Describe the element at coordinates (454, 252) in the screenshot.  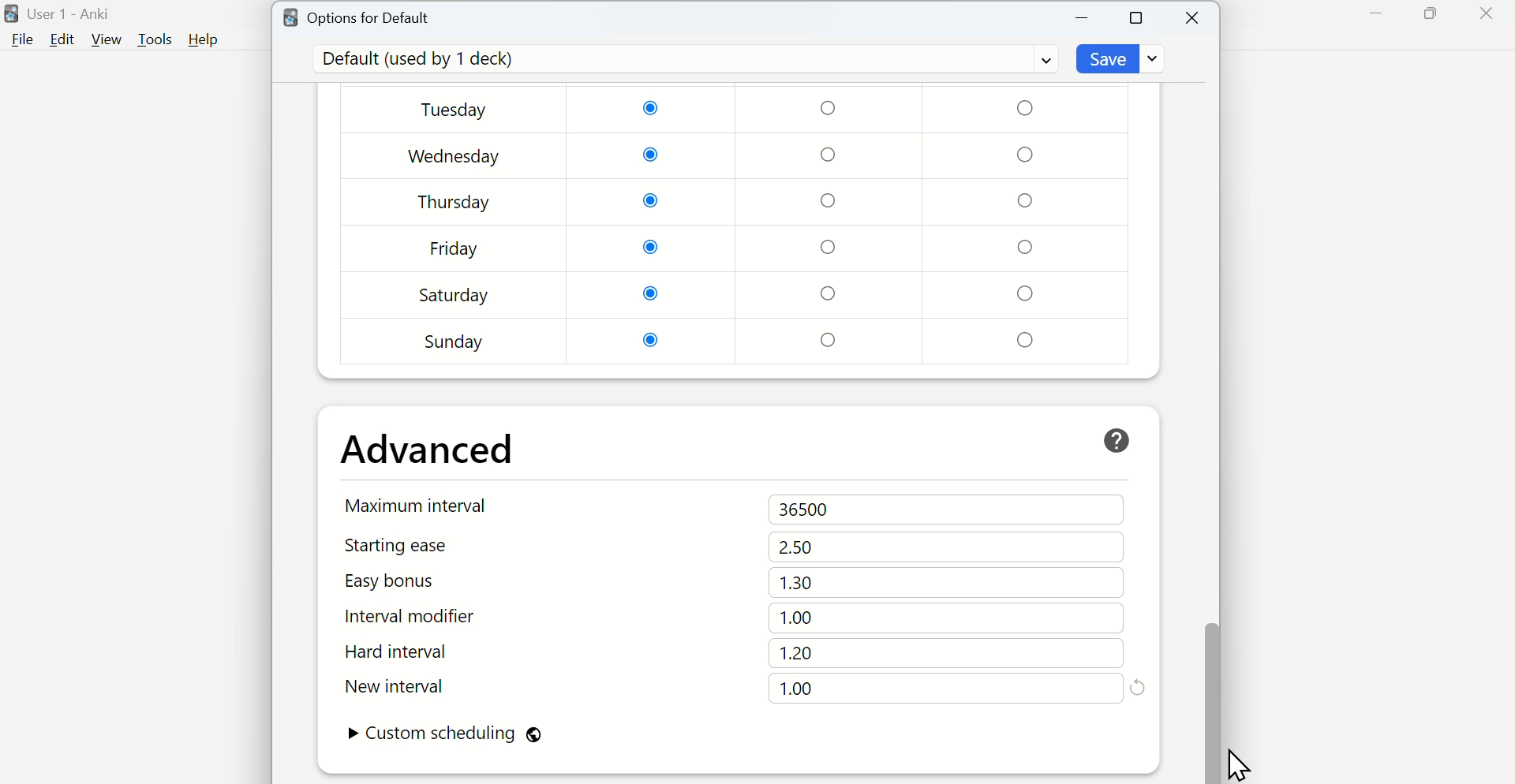
I see `Friday` at that location.